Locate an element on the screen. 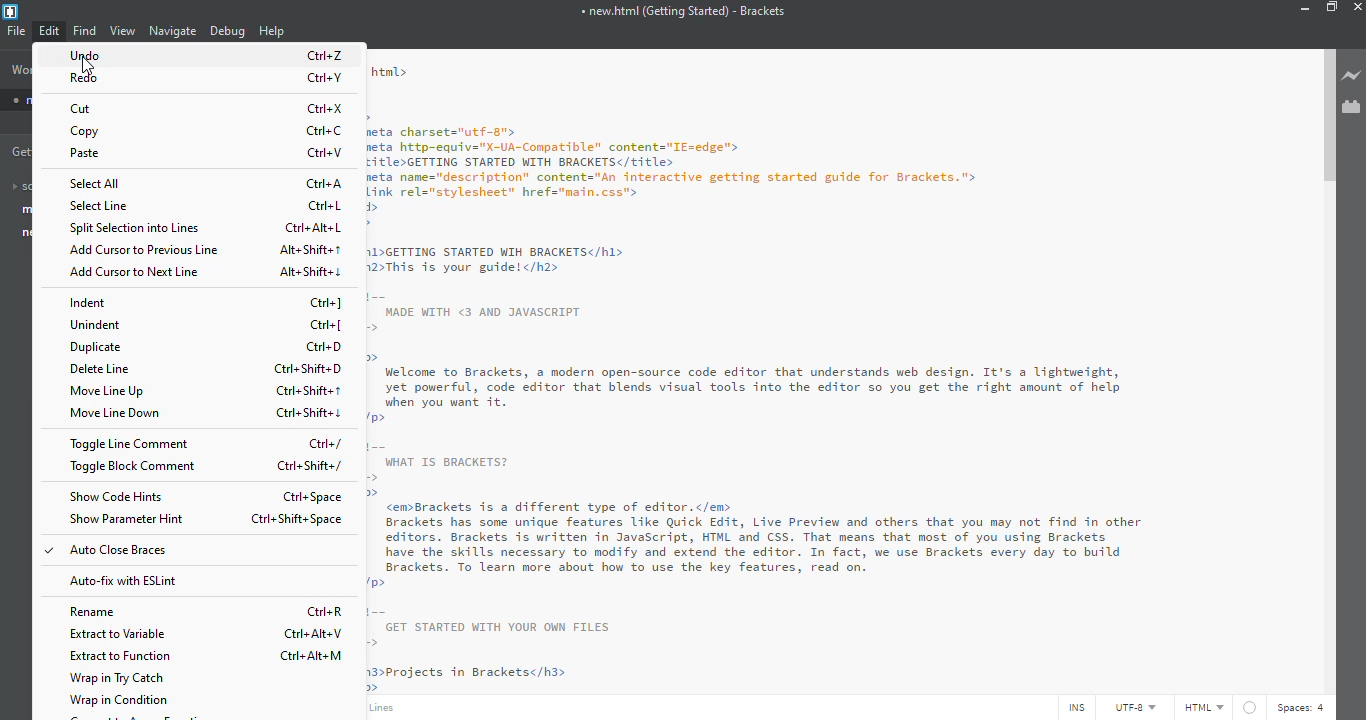 Image resolution: width=1366 pixels, height=720 pixels. paste is located at coordinates (89, 154).